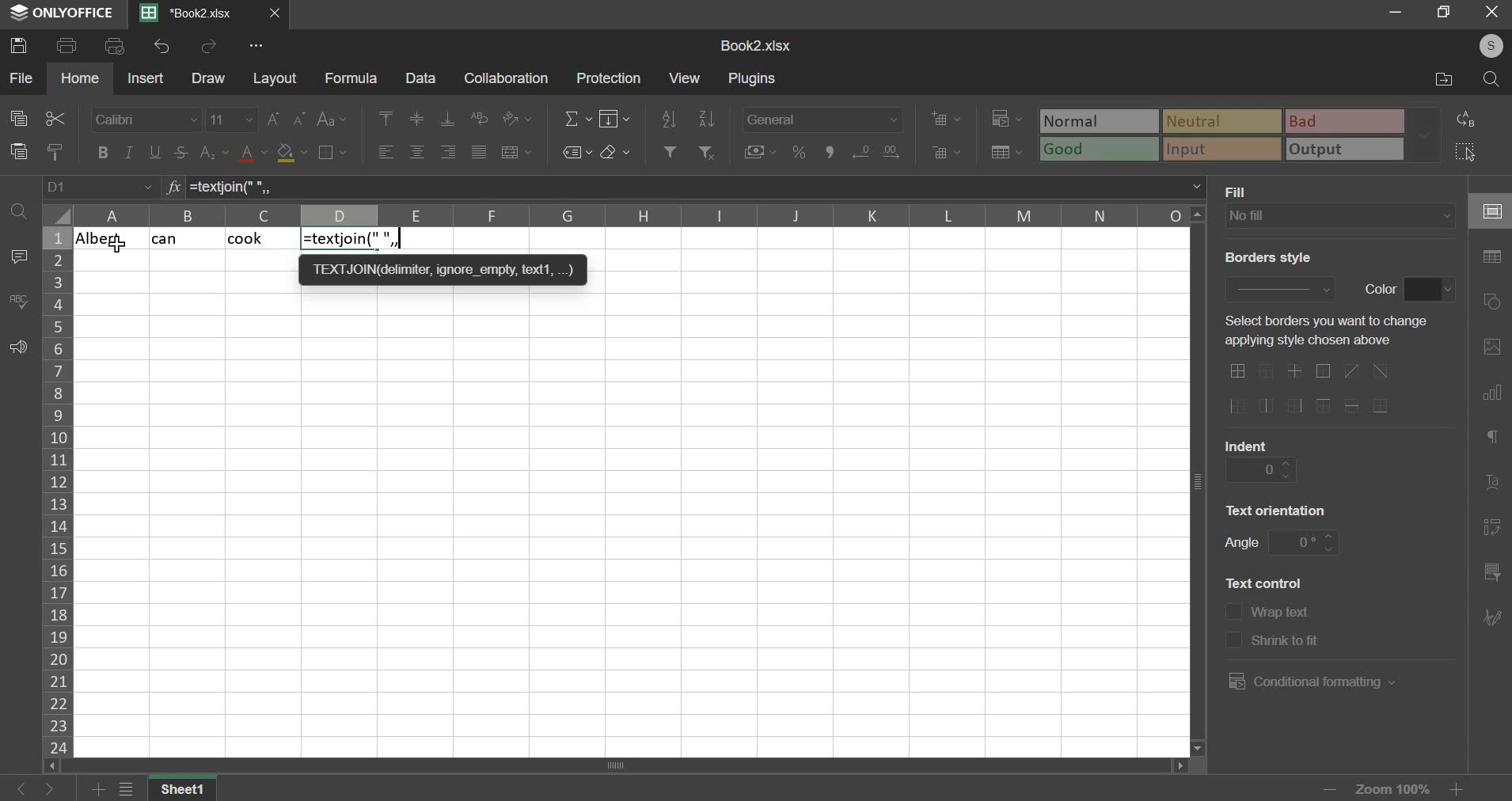 Image resolution: width=1512 pixels, height=801 pixels. What do you see at coordinates (946, 118) in the screenshot?
I see `add cells` at bounding box center [946, 118].